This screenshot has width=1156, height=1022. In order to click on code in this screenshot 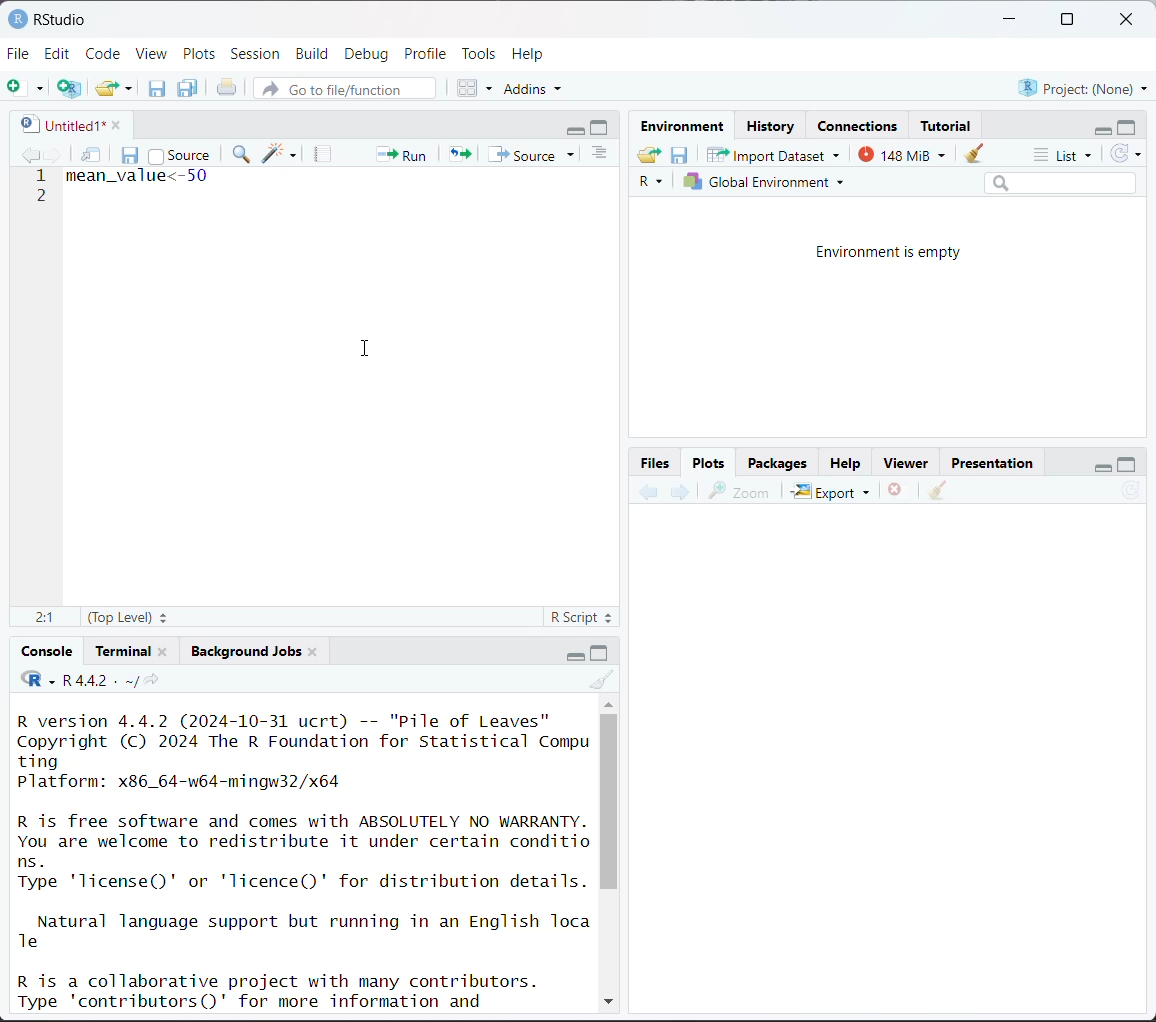, I will do `click(37, 680)`.